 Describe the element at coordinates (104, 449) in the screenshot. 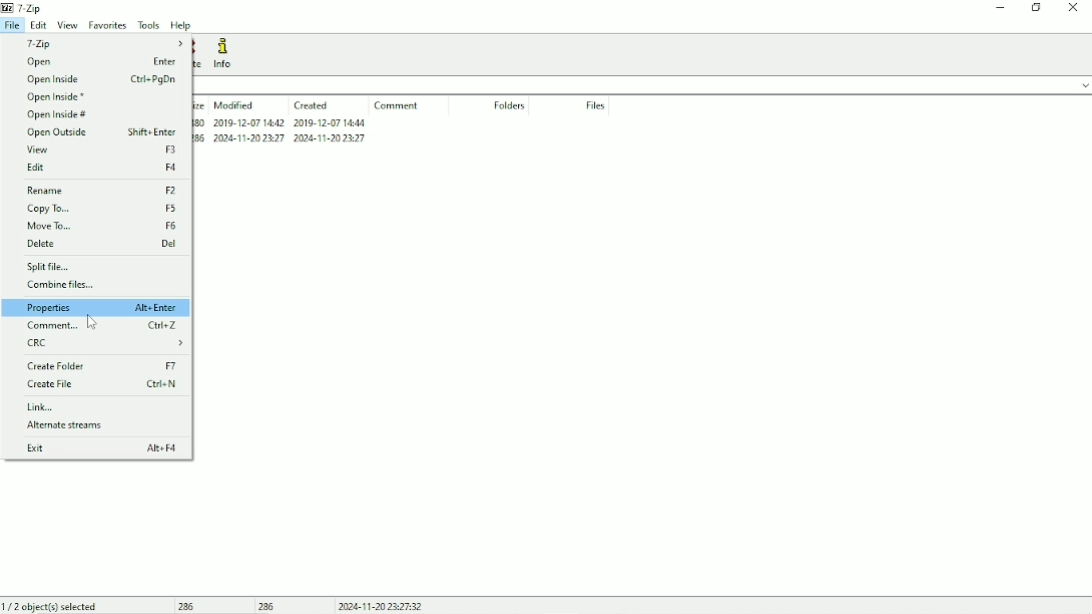

I see `Exit` at that location.